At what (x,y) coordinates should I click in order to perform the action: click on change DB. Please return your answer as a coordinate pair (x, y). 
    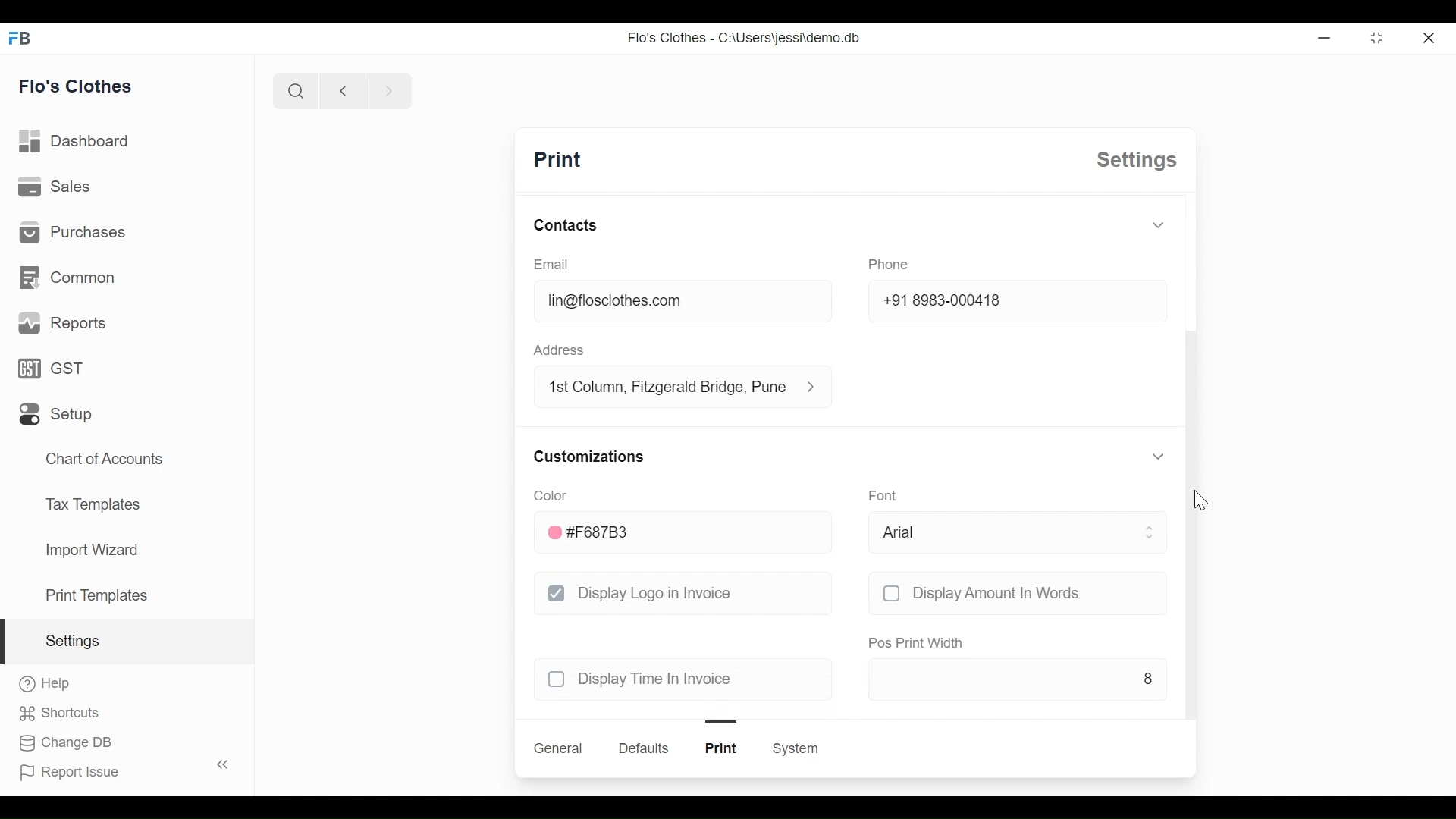
    Looking at the image, I should click on (64, 743).